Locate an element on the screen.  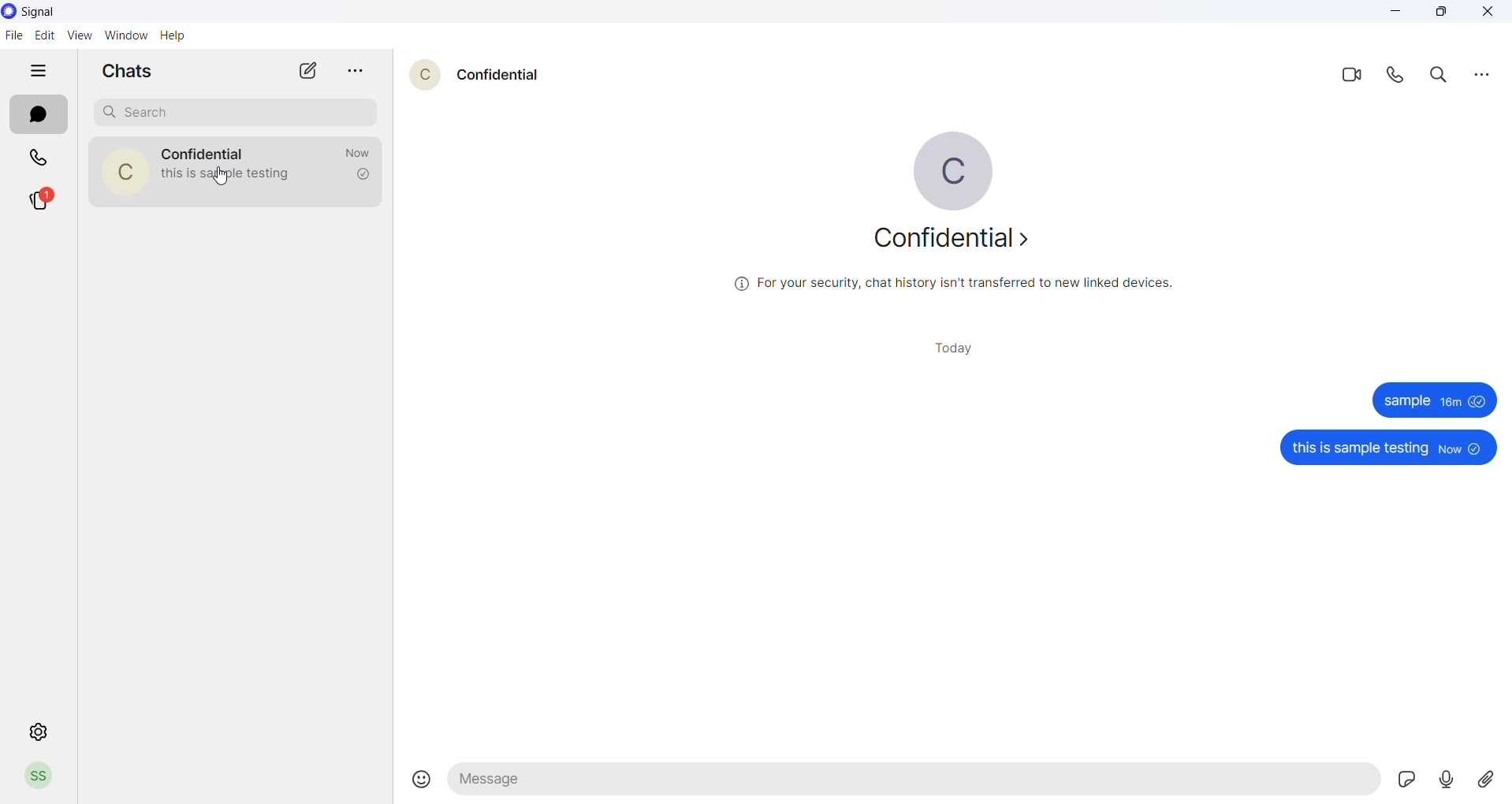
edit is located at coordinates (45, 35).